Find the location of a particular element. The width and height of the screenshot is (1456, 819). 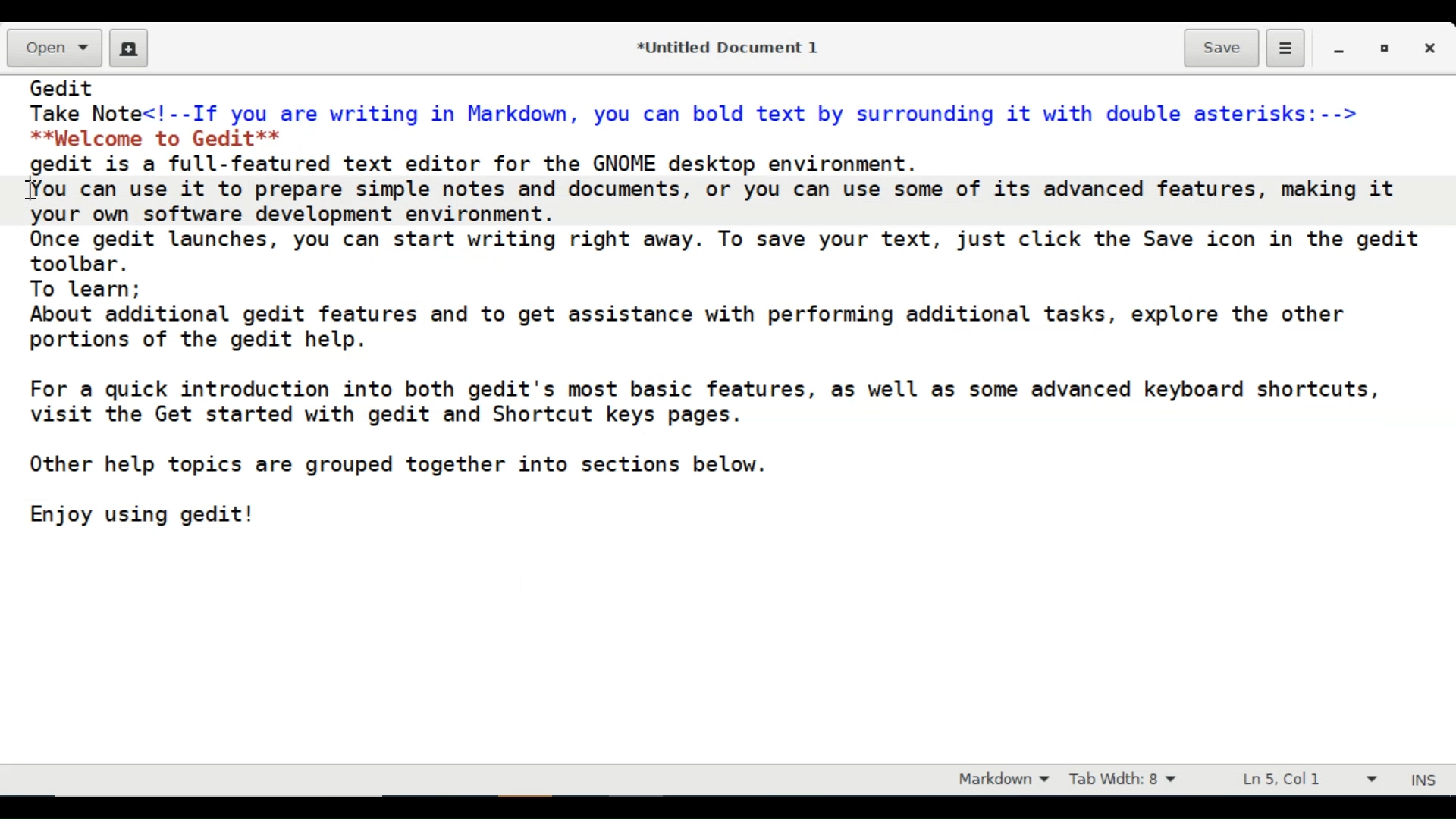

Application menu is located at coordinates (1285, 49).